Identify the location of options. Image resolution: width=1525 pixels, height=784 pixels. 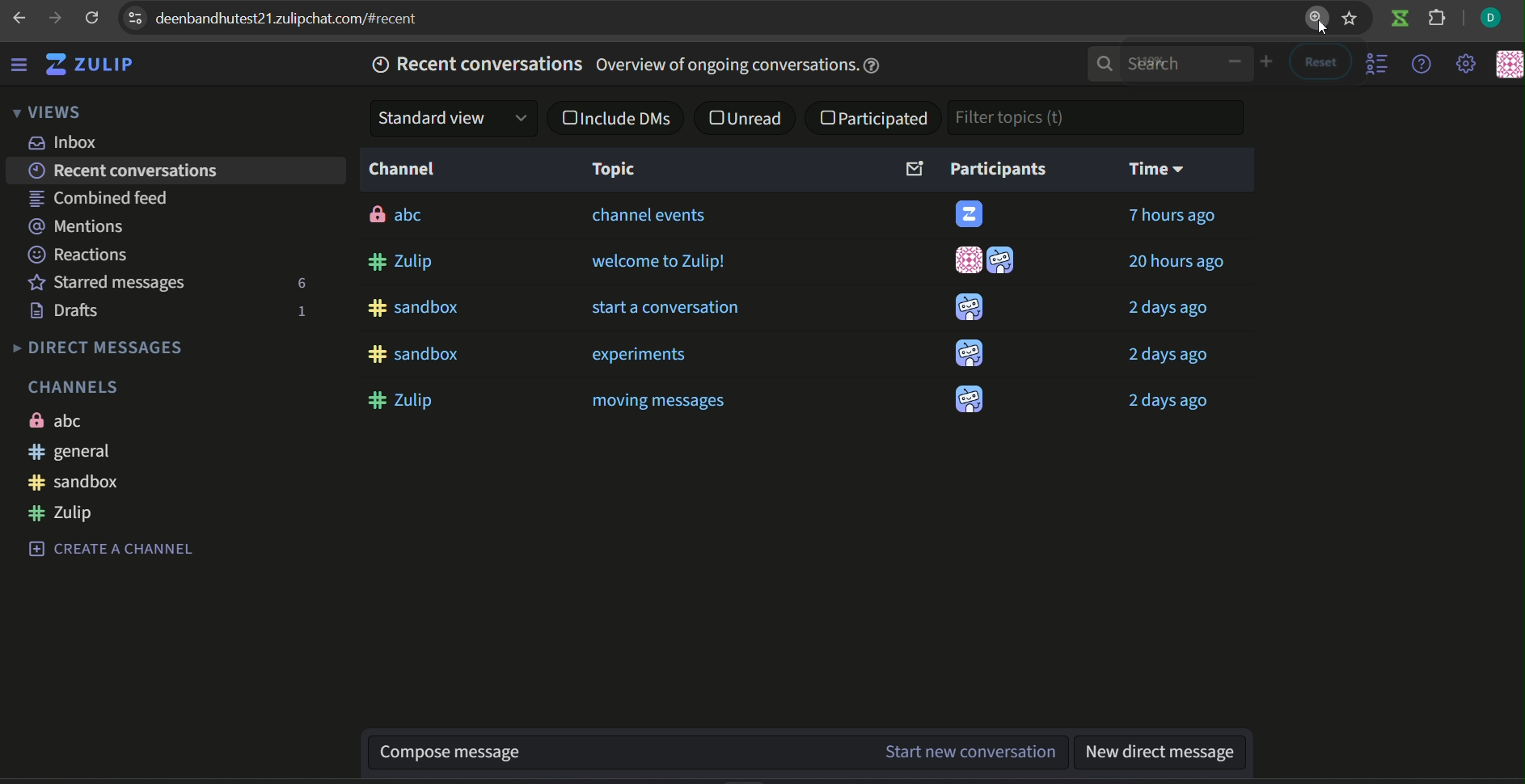
(134, 16).